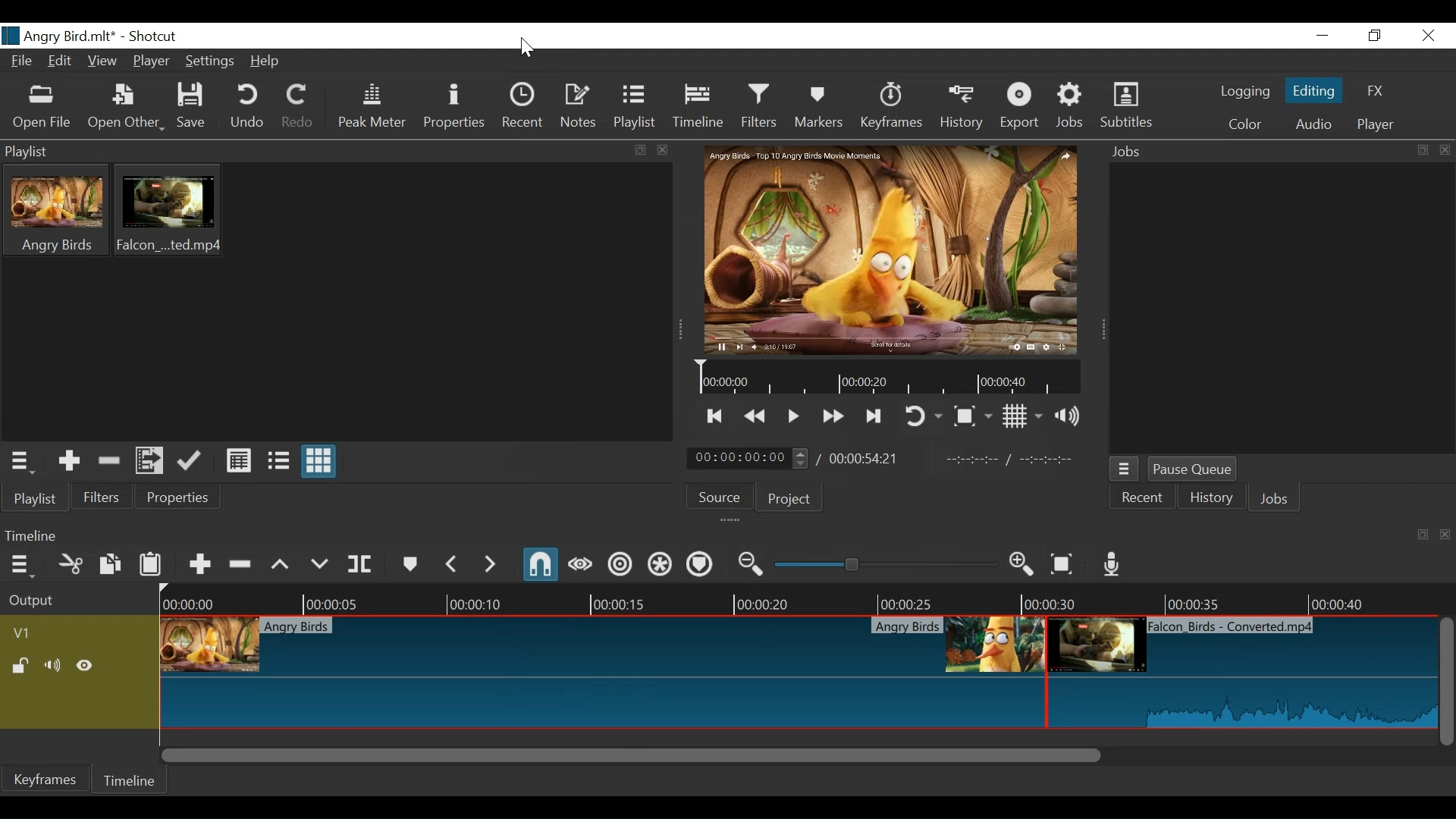 The width and height of the screenshot is (1456, 819). I want to click on Close, so click(1427, 35).